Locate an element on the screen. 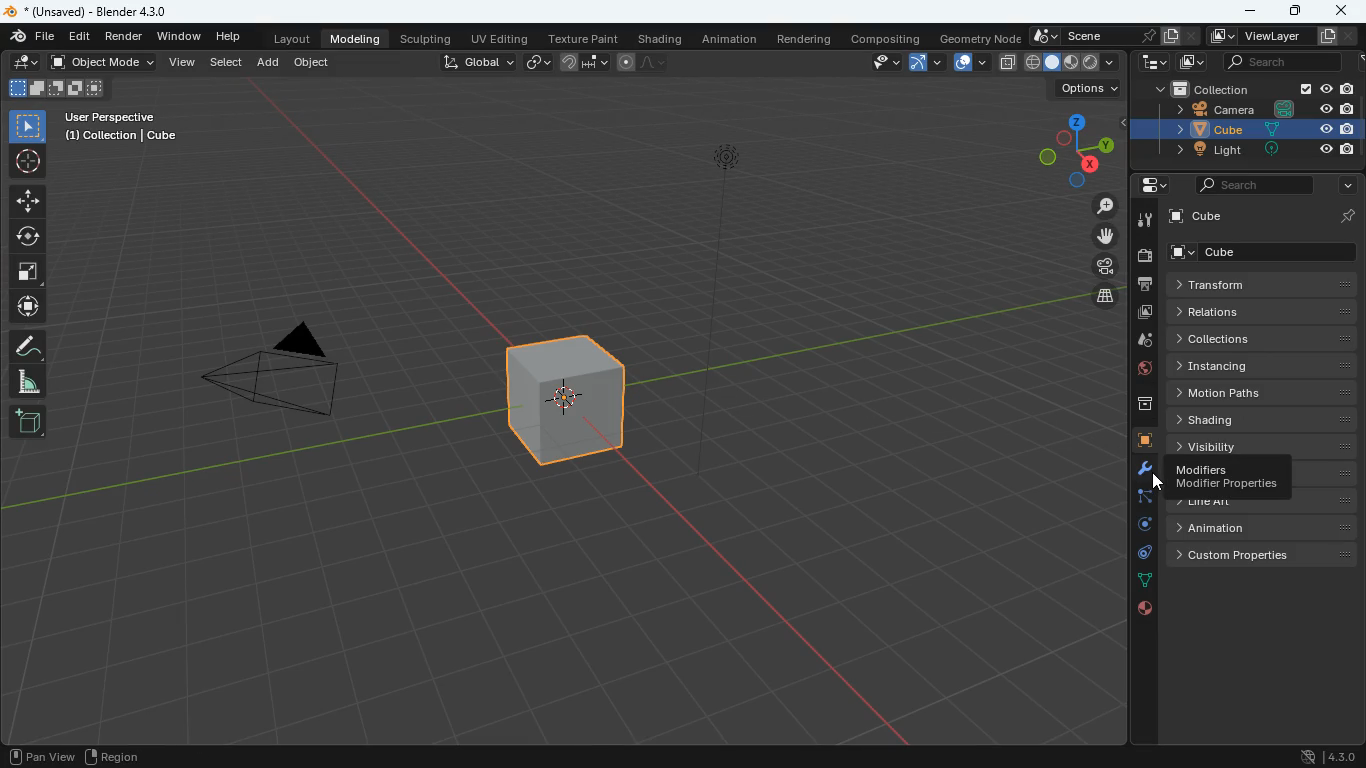  move is located at coordinates (28, 200).